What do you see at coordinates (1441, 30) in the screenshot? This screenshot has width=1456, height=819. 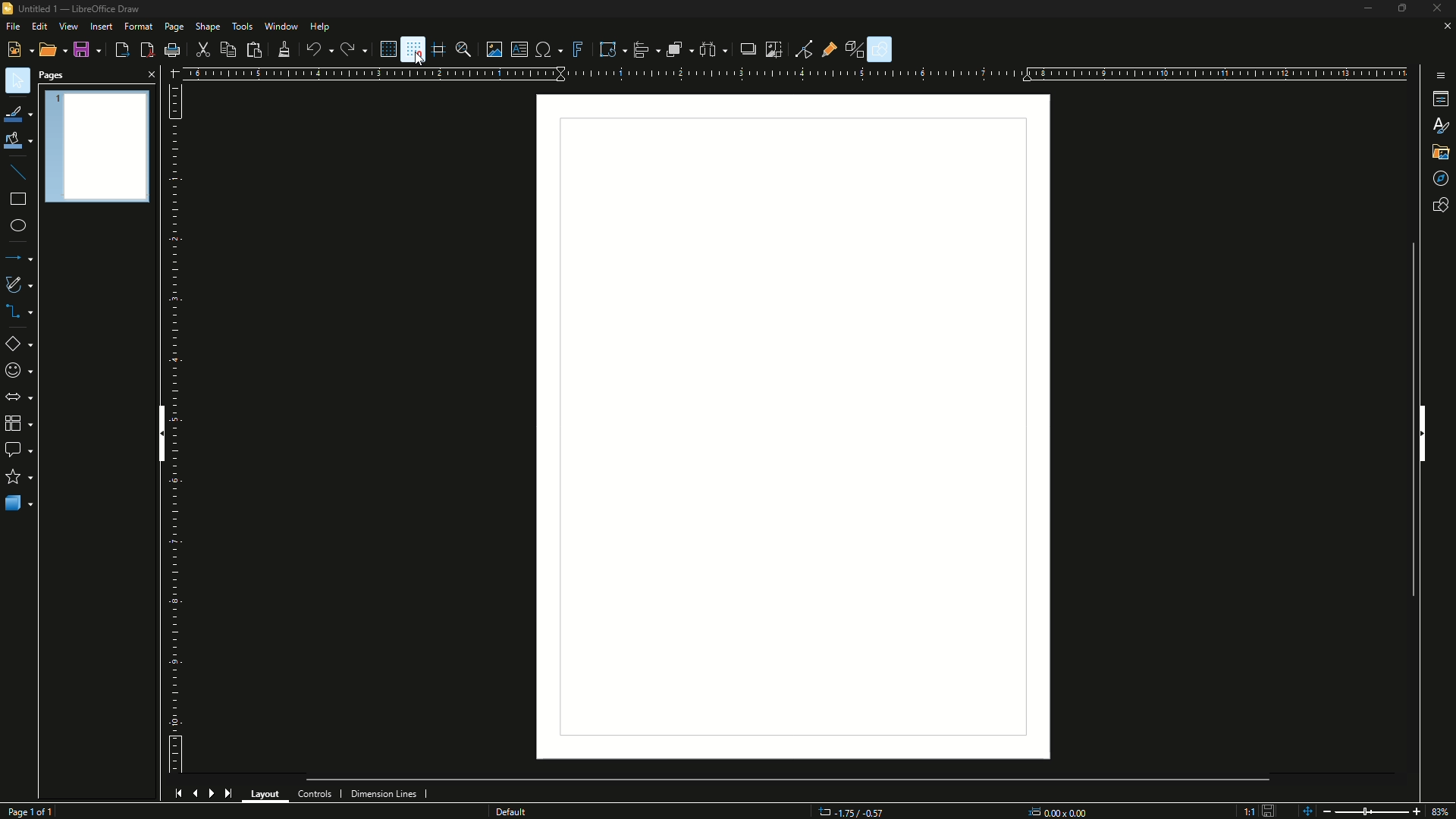 I see `Close sheet` at bounding box center [1441, 30].